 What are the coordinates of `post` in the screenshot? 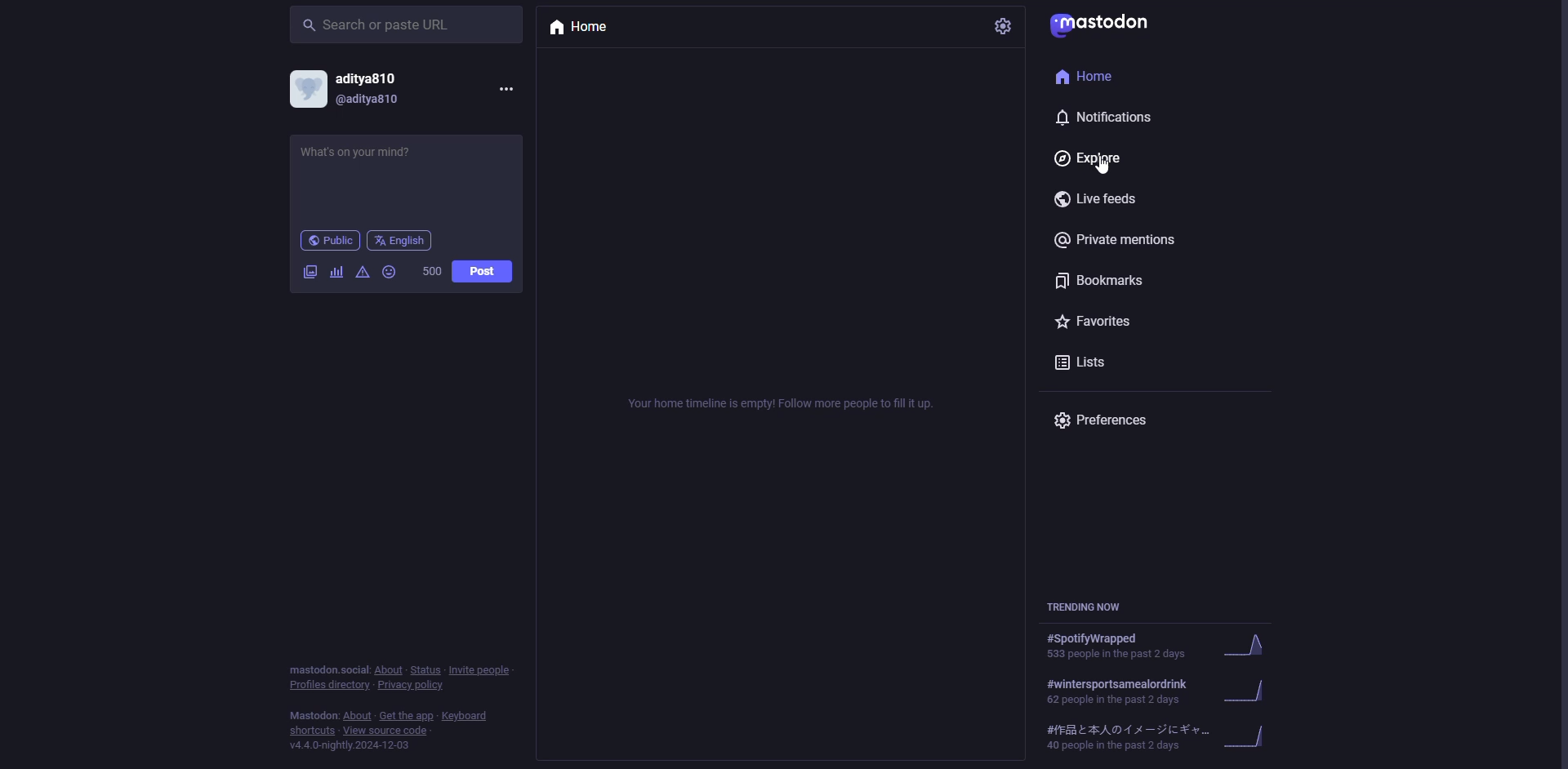 It's located at (481, 270).